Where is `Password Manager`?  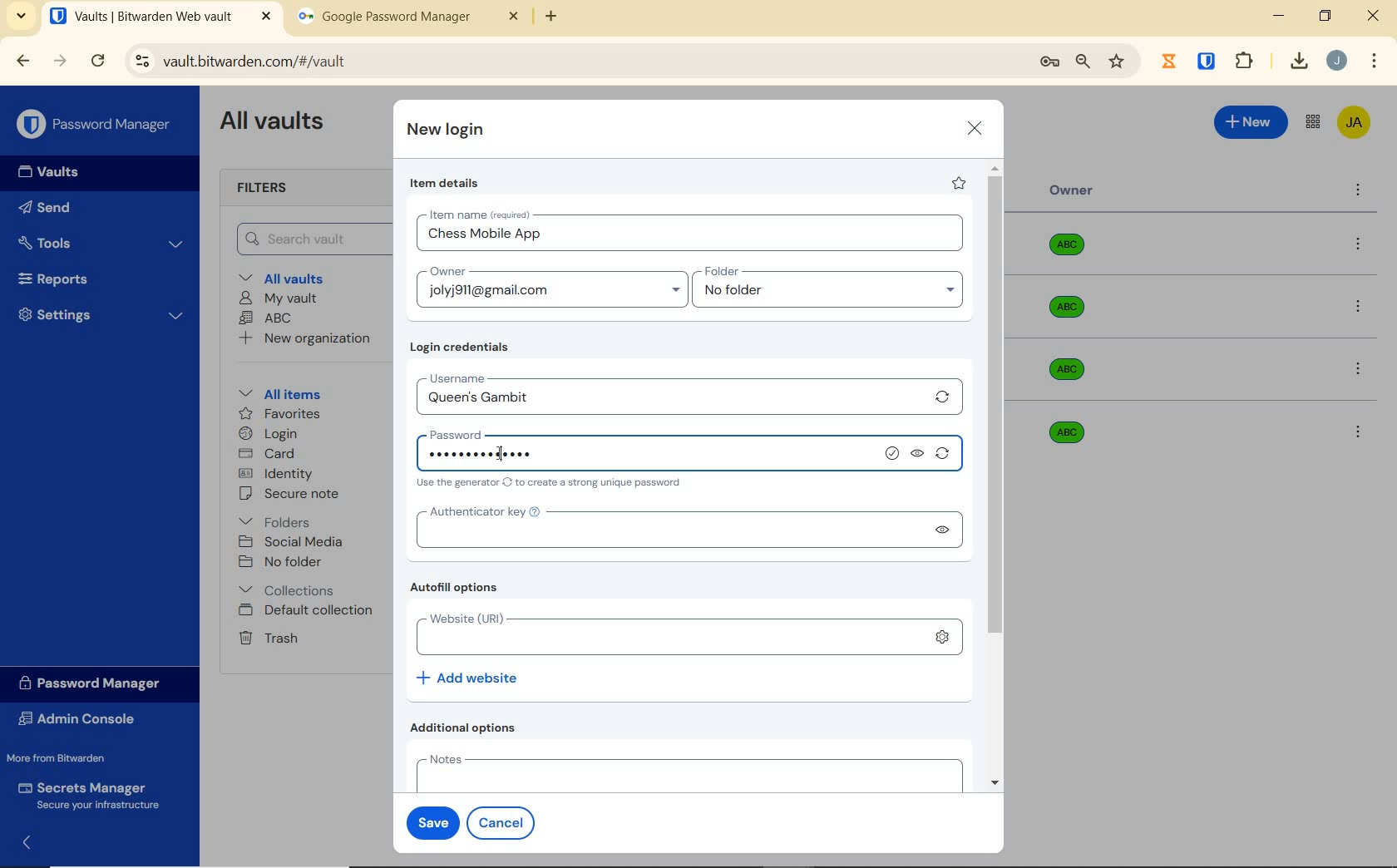 Password Manager is located at coordinates (96, 126).